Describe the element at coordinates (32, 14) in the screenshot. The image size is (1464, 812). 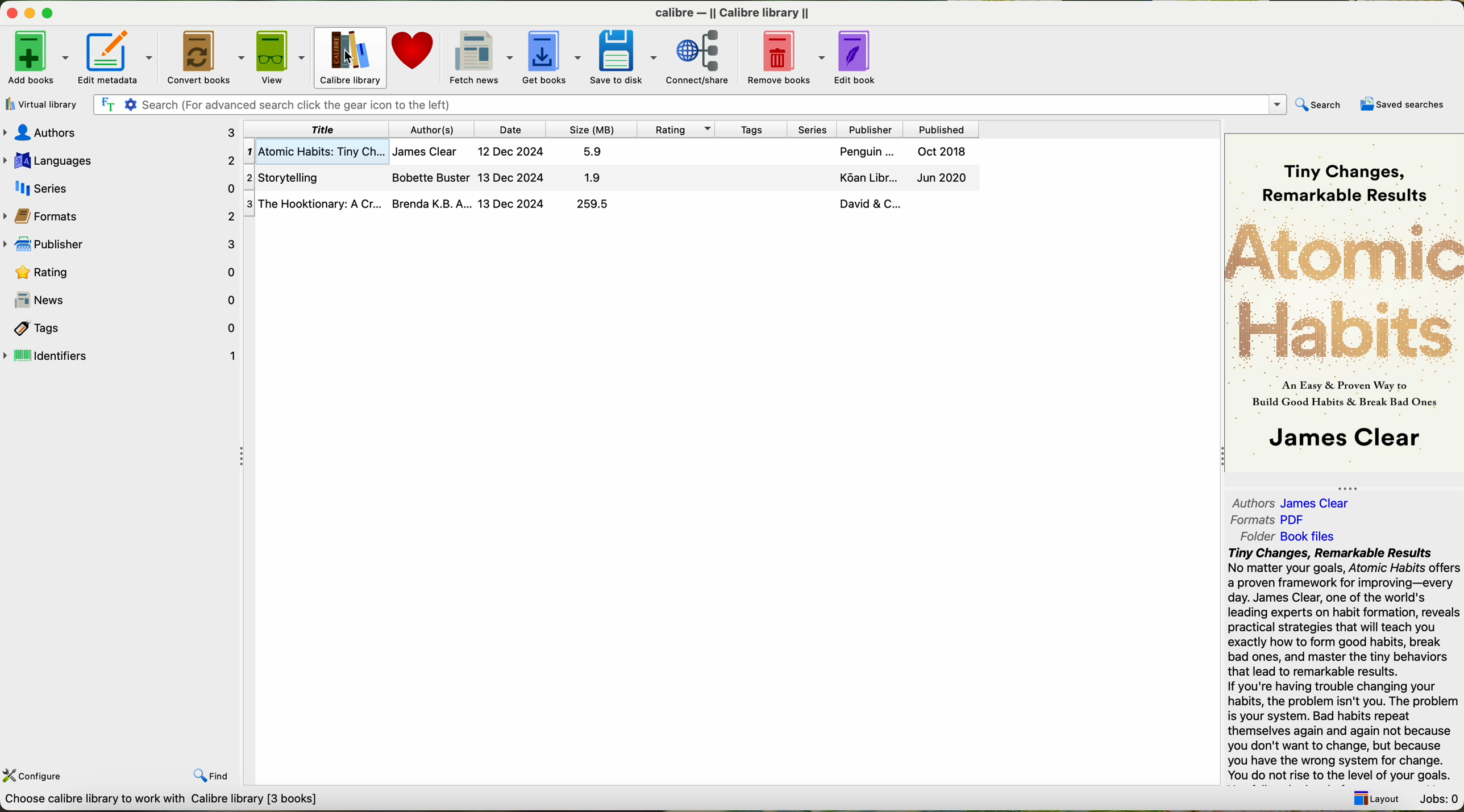
I see `minimize program` at that location.